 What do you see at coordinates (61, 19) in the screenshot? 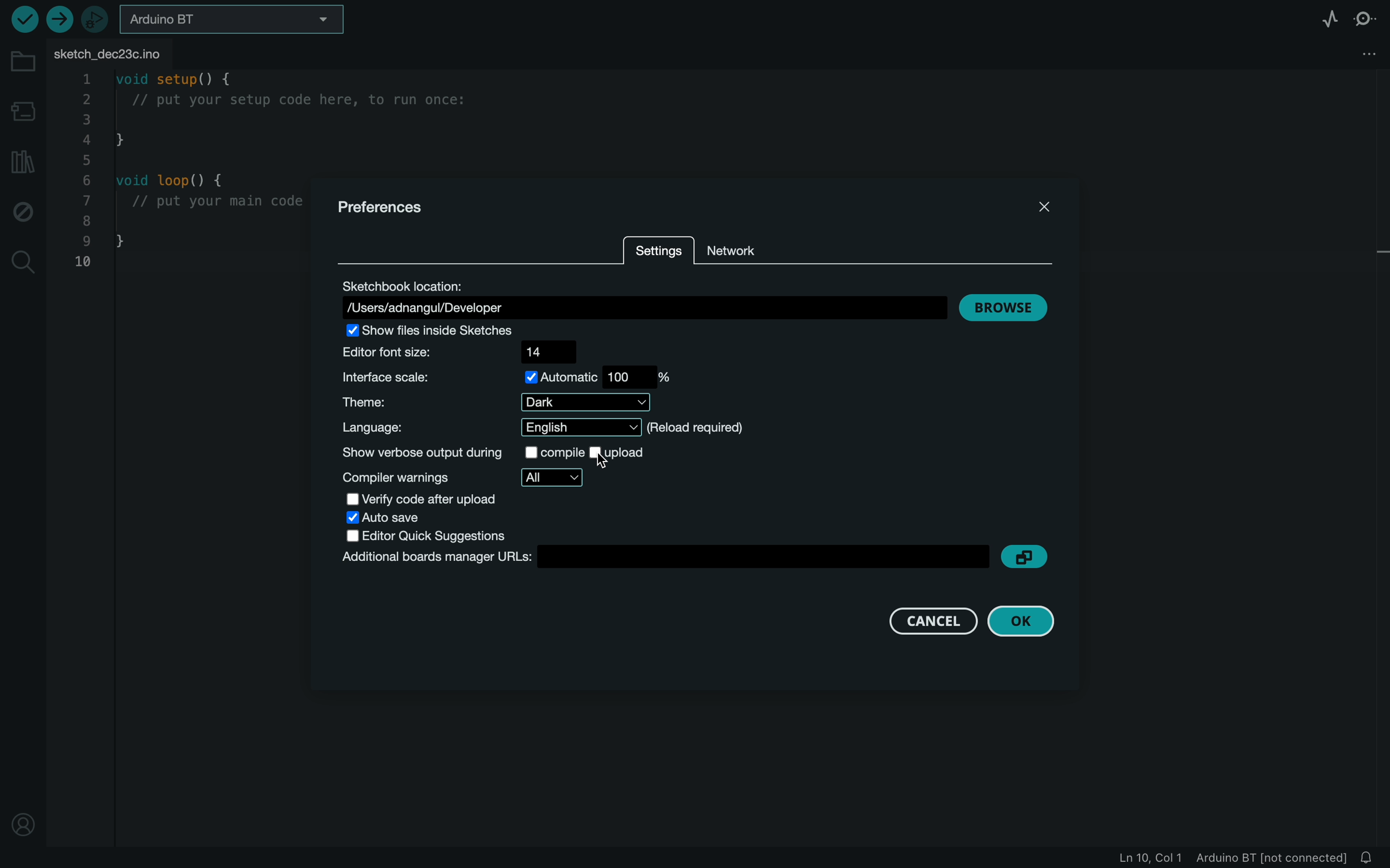
I see `upload` at bounding box center [61, 19].